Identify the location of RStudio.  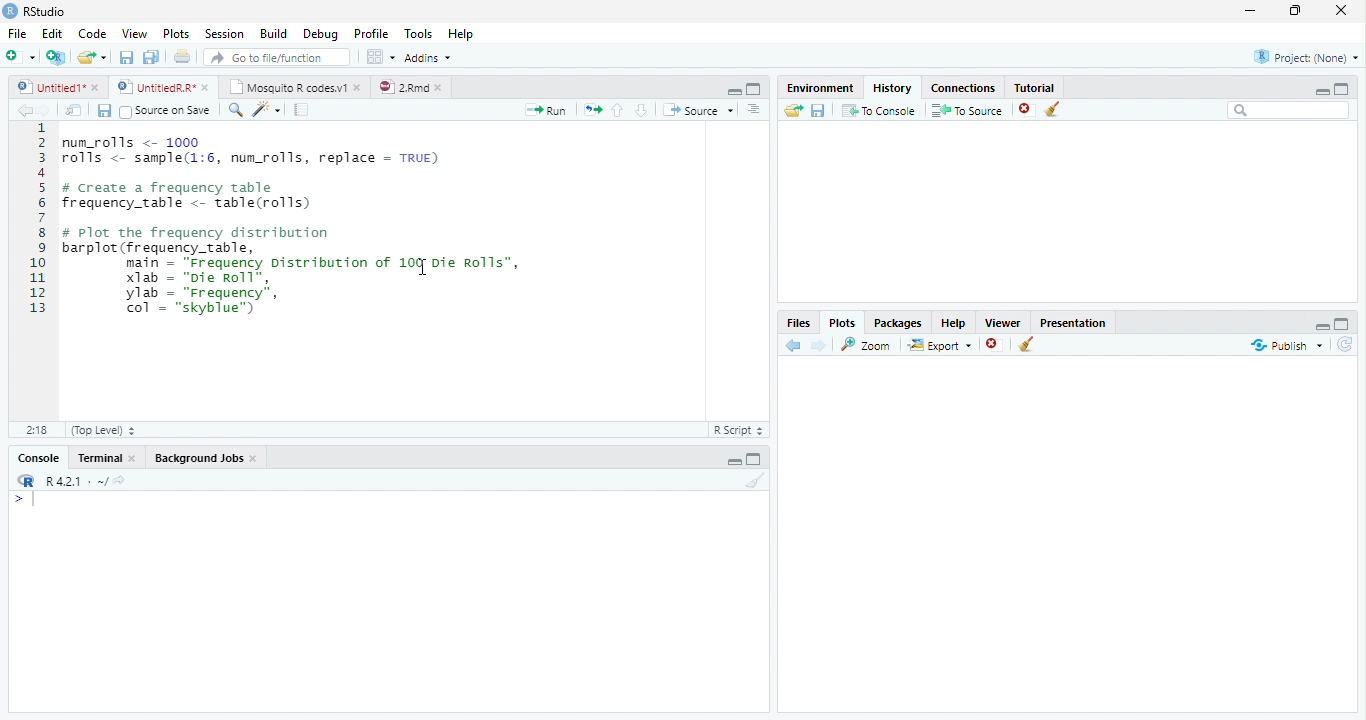
(35, 11).